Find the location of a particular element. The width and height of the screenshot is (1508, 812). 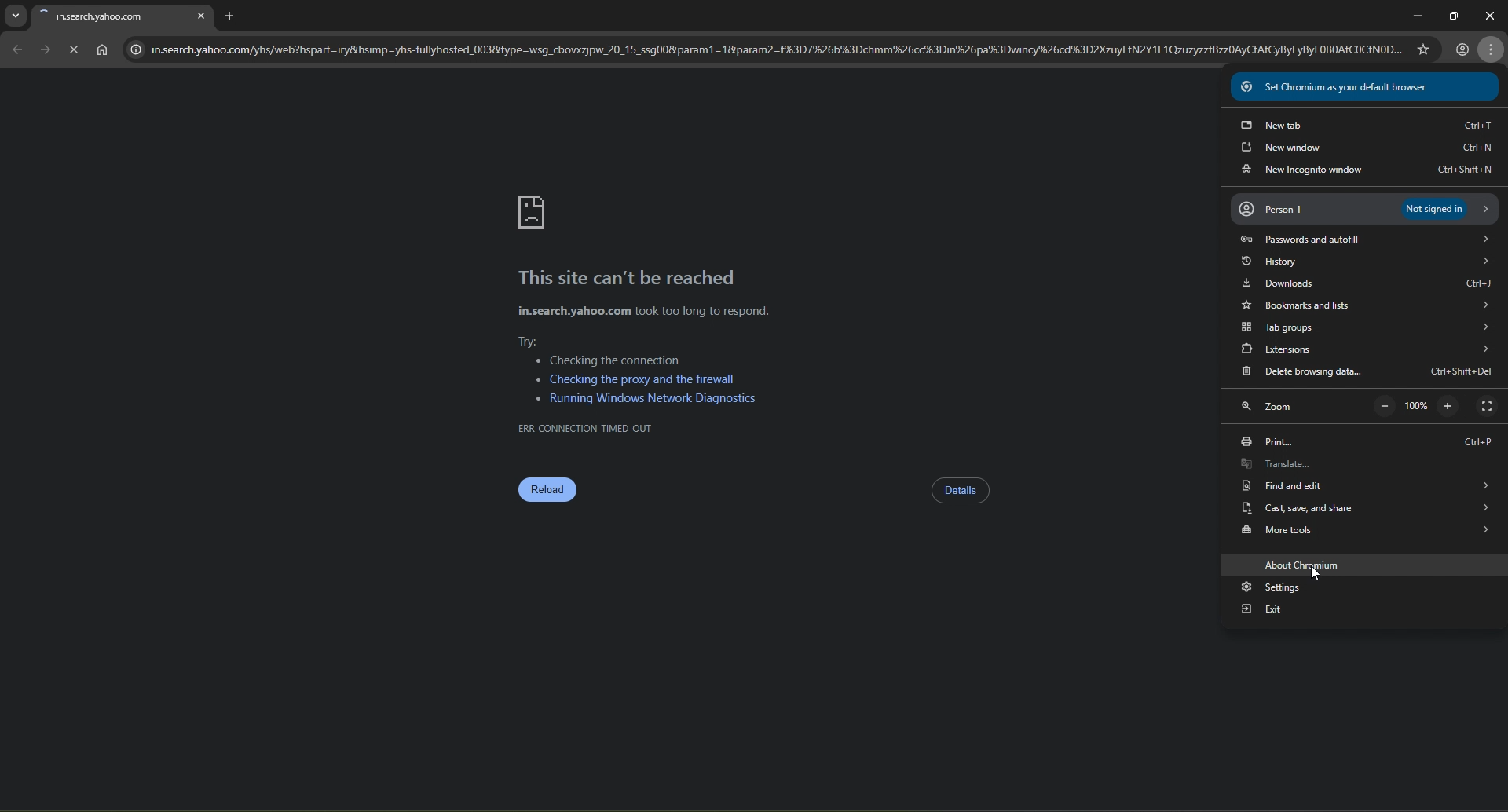

ERR_CONNECTION_TIMED_OUT is located at coordinates (586, 428).